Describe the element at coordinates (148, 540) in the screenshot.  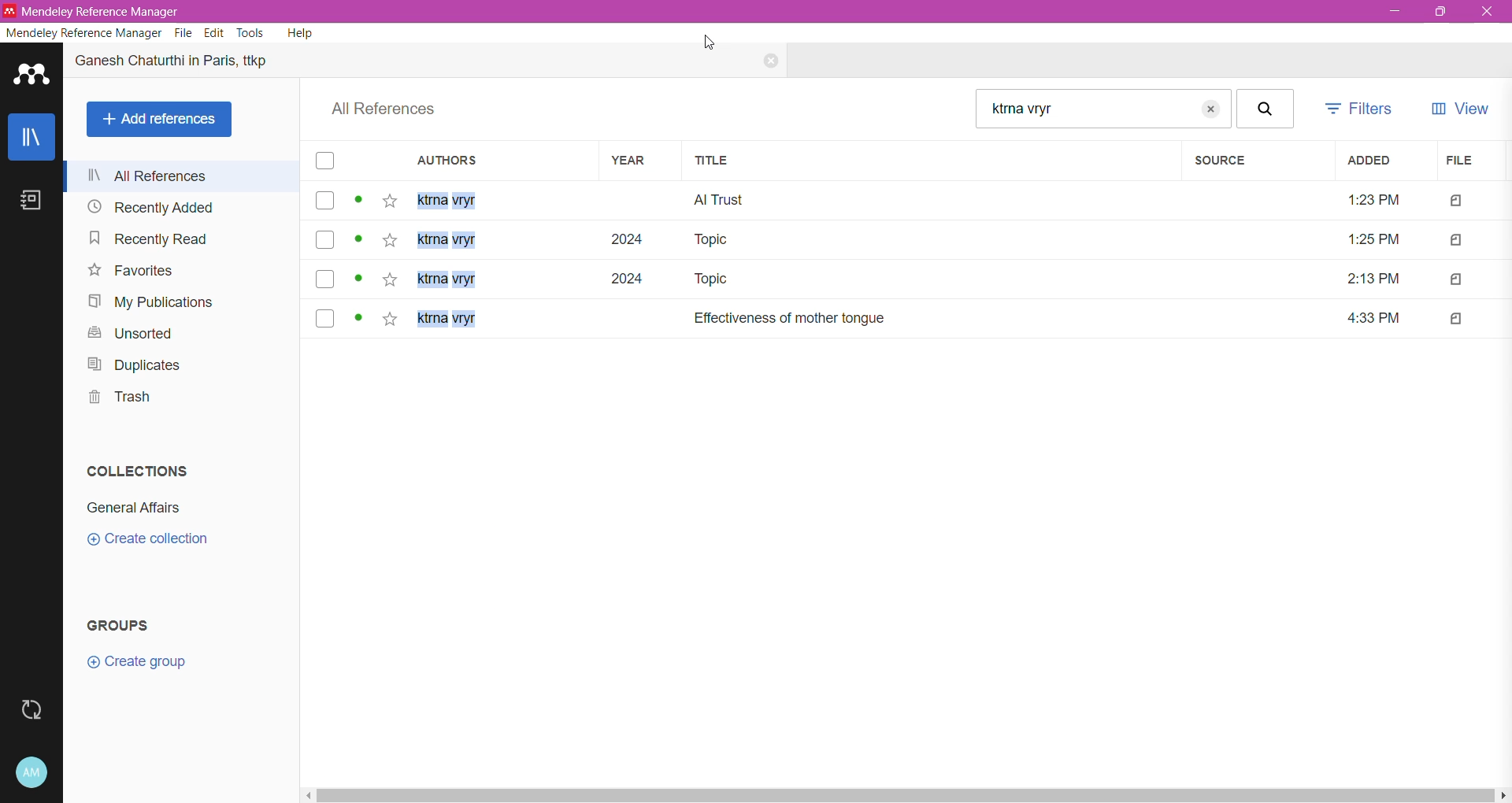
I see `Click to Create Collection` at that location.